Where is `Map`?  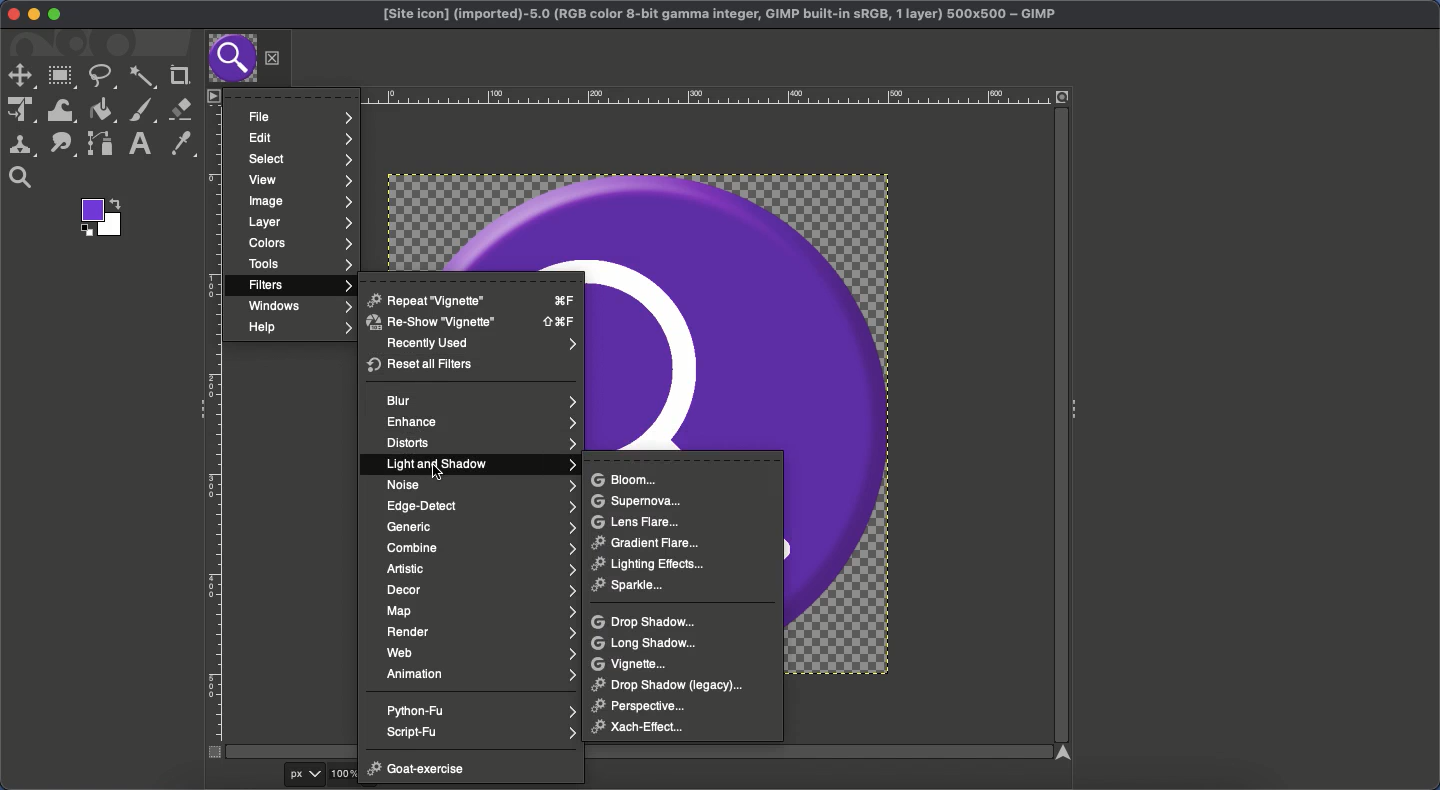
Map is located at coordinates (480, 610).